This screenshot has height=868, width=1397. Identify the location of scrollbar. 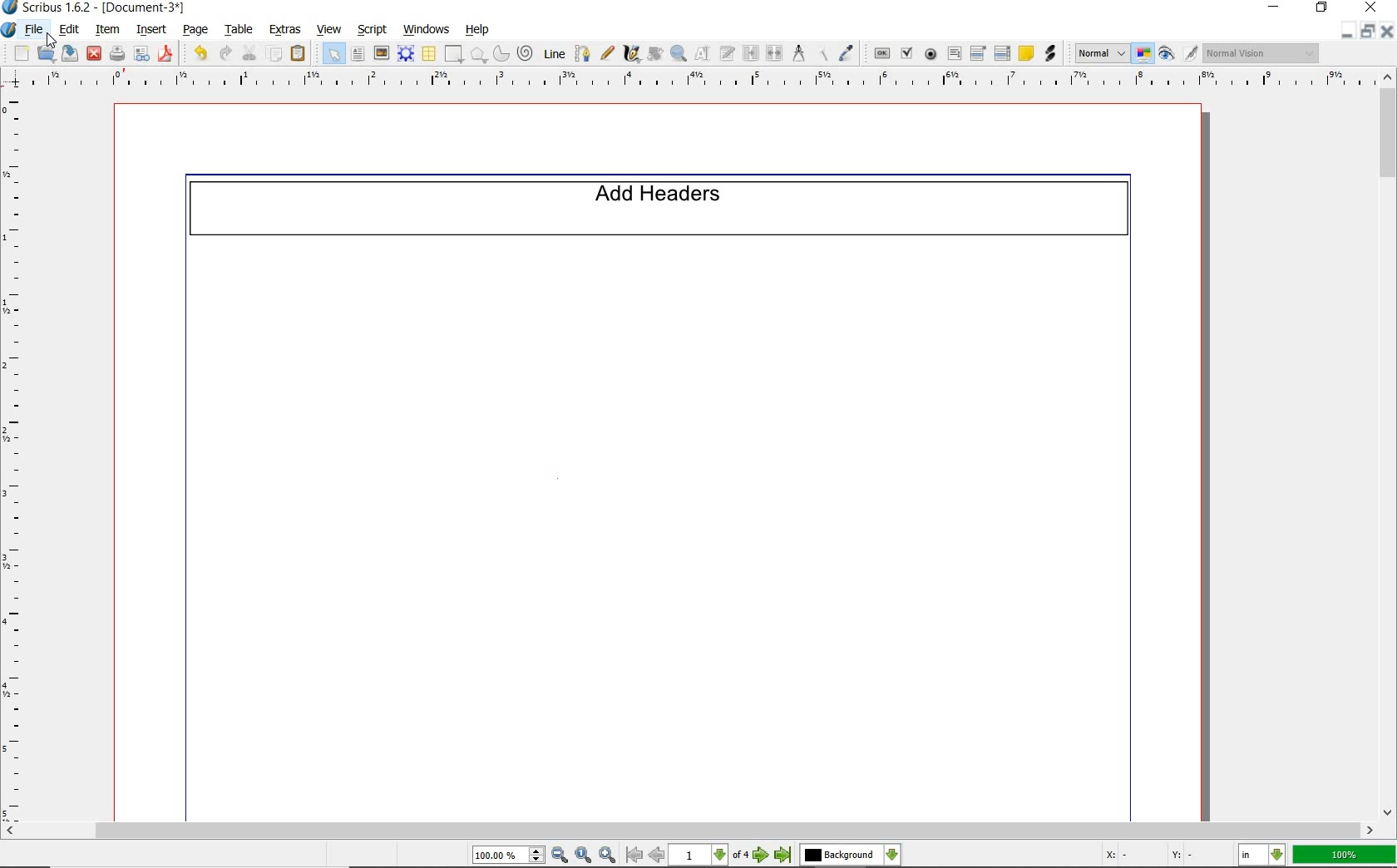
(689, 832).